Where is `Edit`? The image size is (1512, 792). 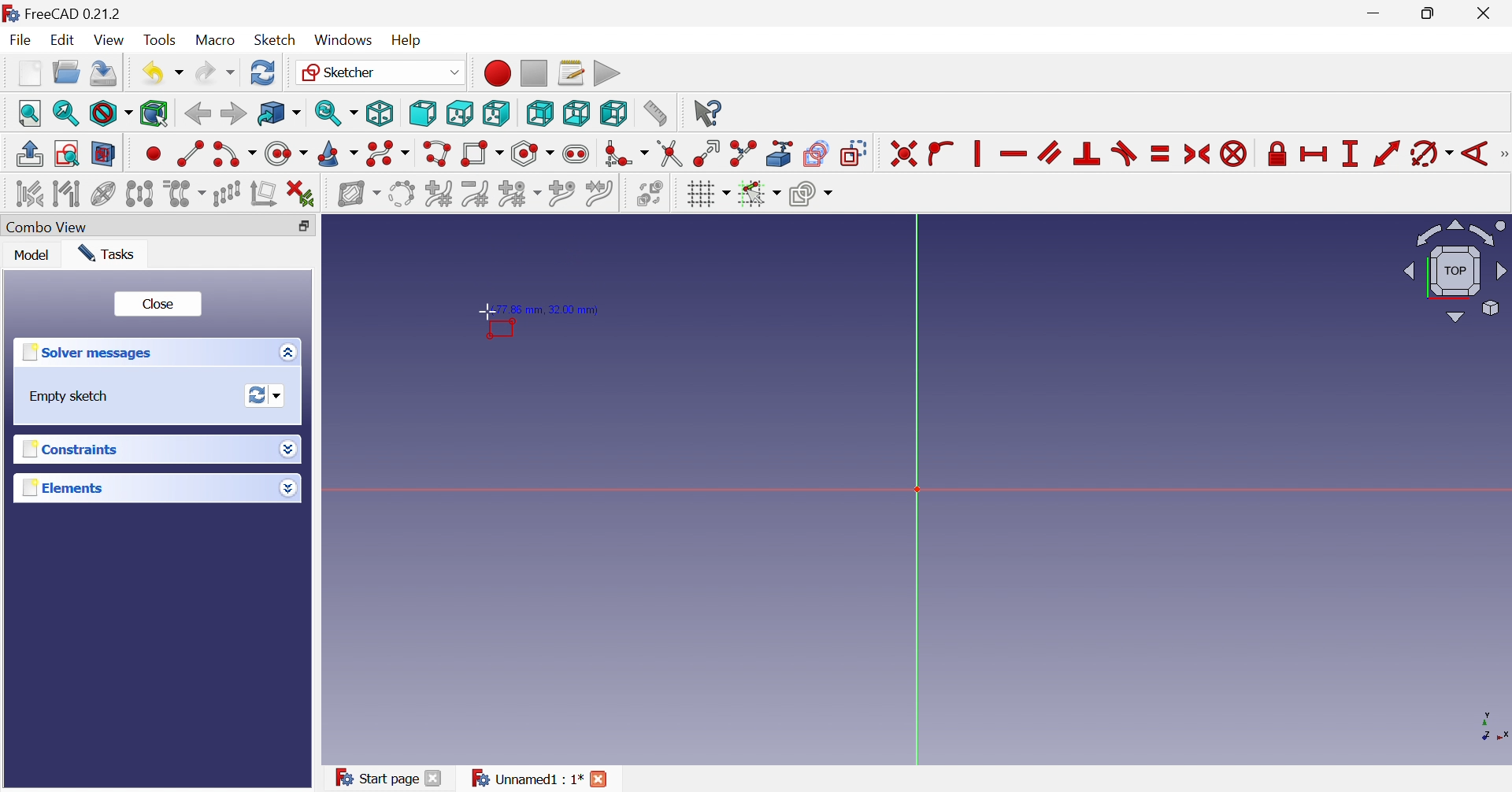
Edit is located at coordinates (65, 40).